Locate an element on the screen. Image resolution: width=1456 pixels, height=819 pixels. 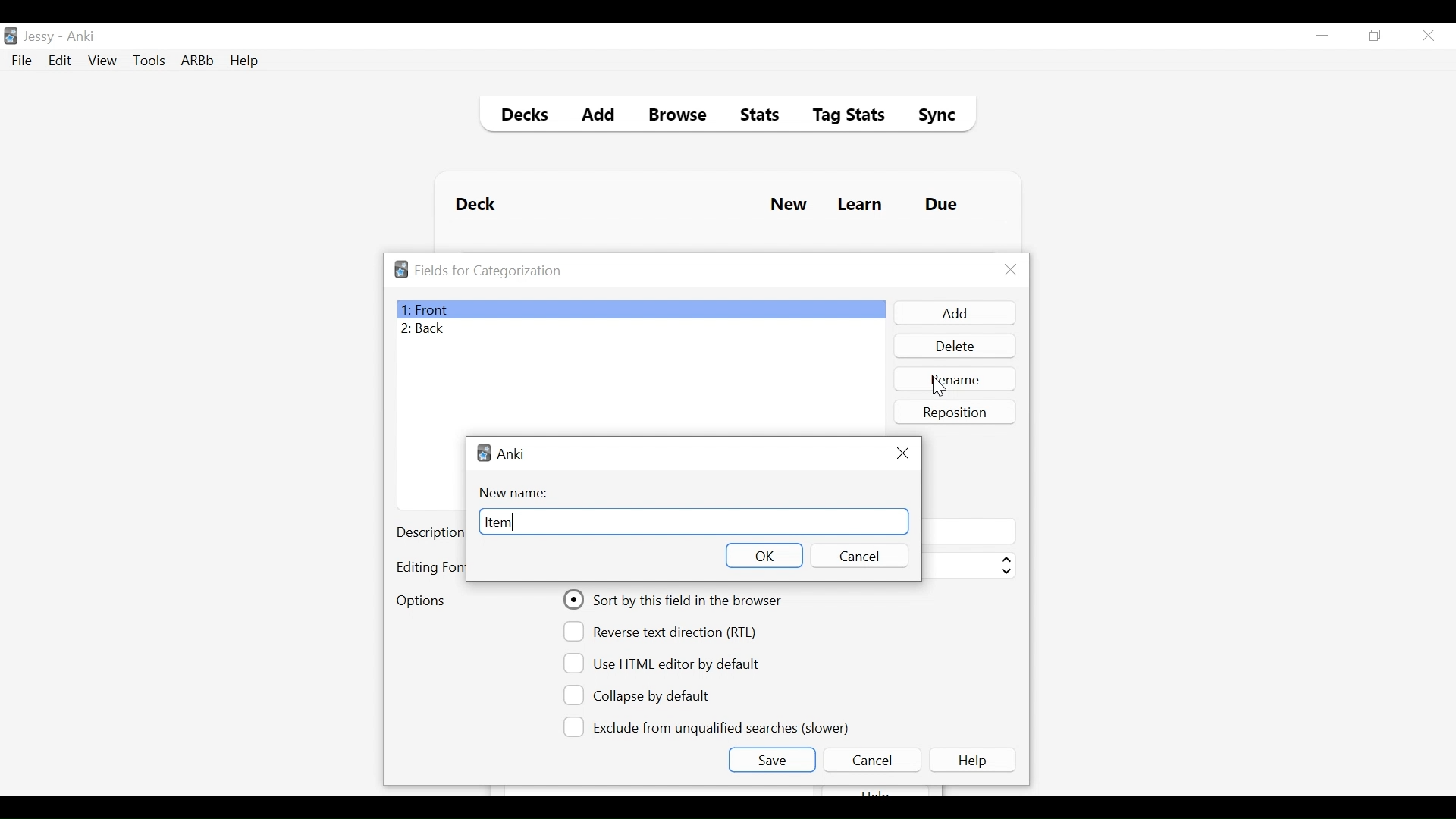
Cancel is located at coordinates (871, 760).